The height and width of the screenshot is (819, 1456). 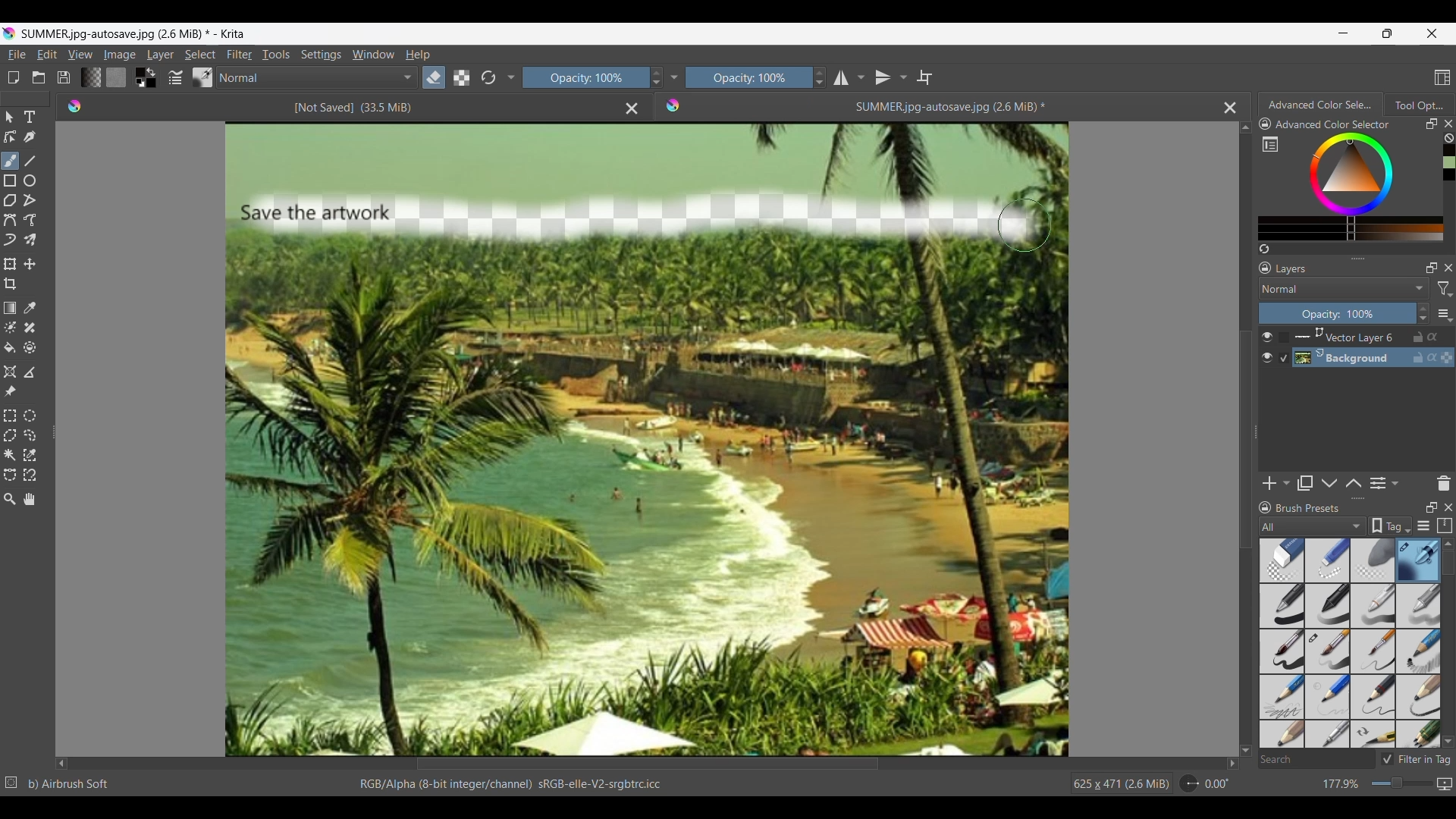 I want to click on Logo, so click(x=674, y=105).